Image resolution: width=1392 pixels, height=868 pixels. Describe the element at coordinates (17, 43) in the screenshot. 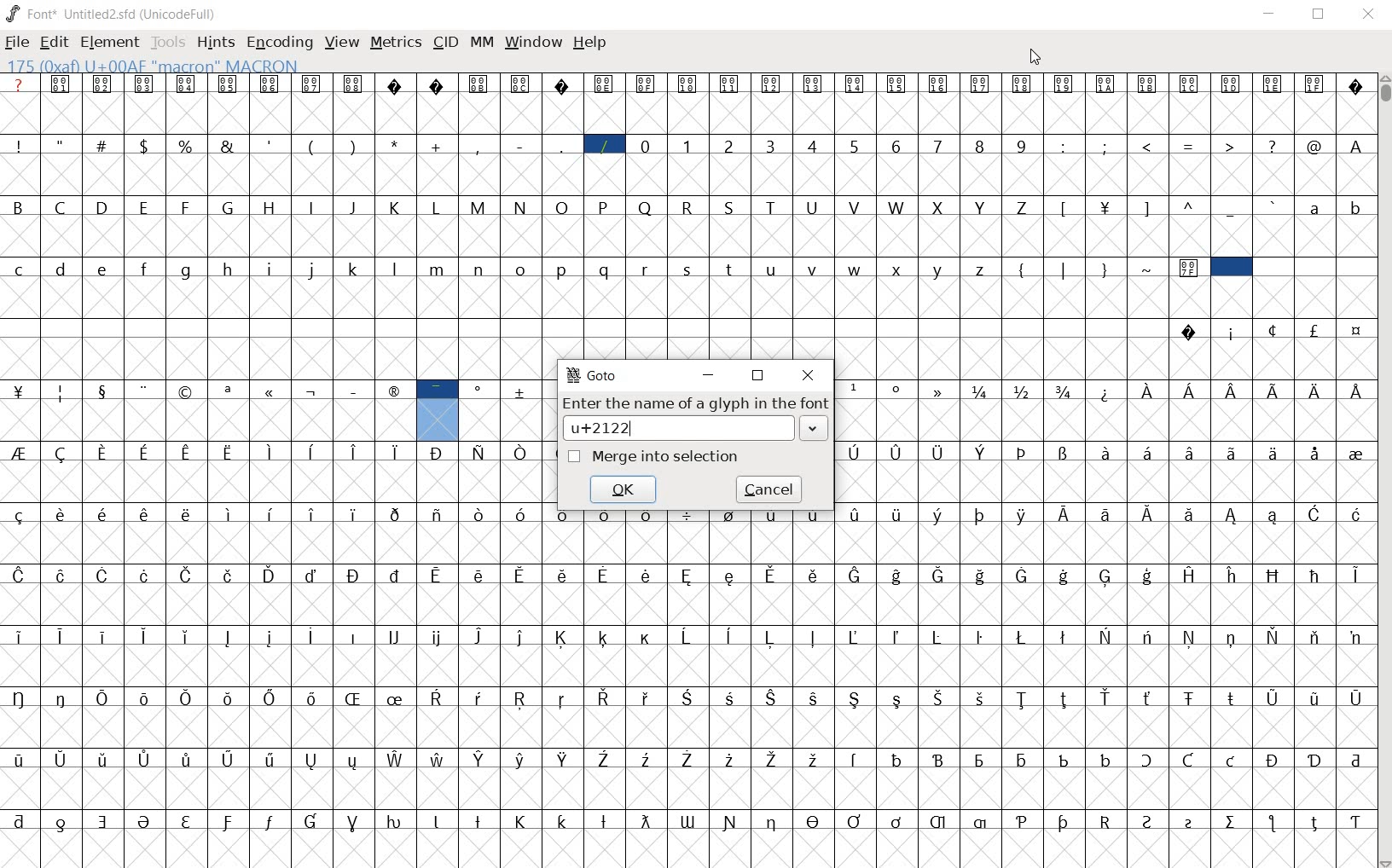

I see `FILE` at that location.